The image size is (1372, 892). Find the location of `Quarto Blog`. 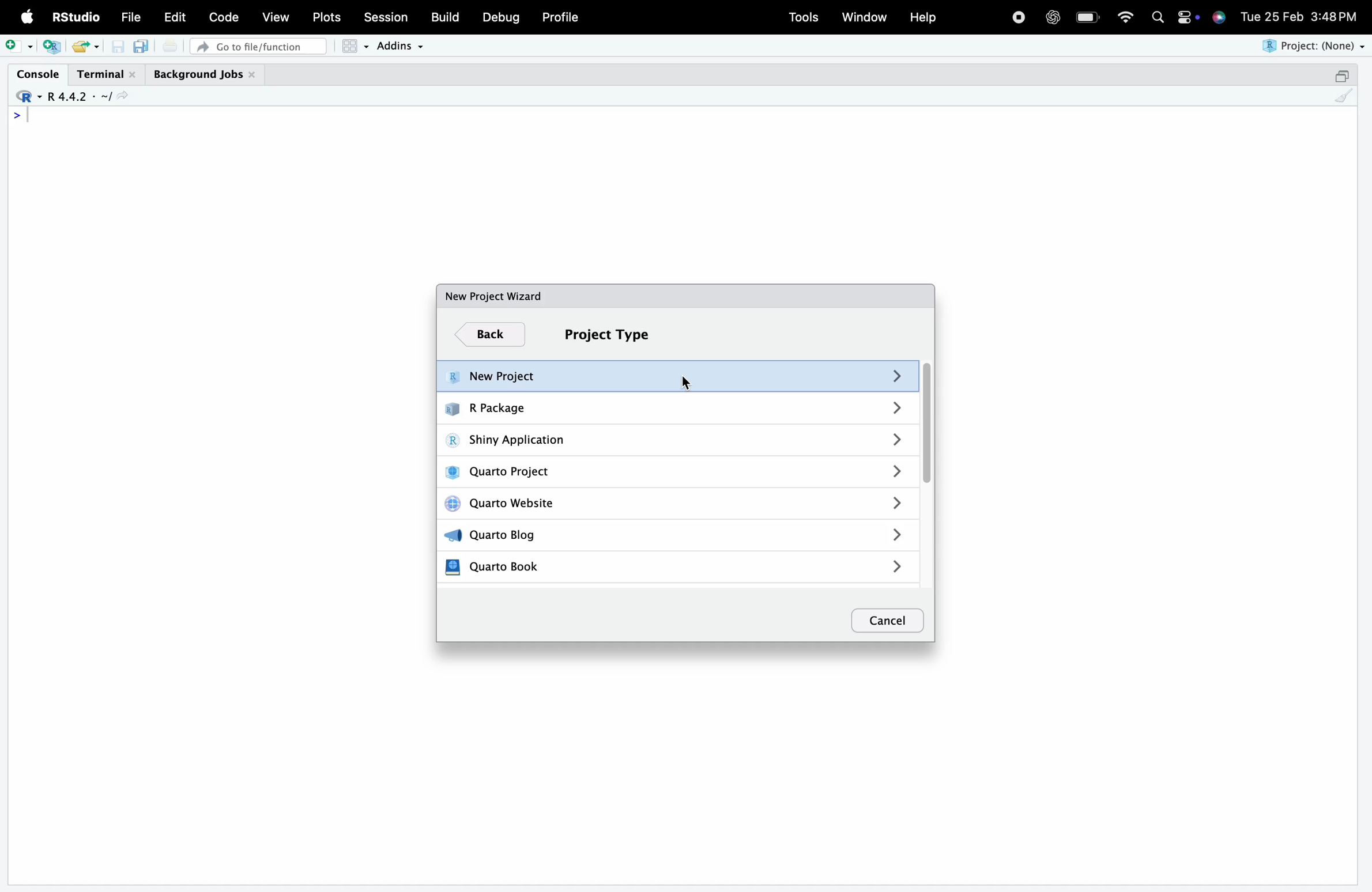

Quarto Blog is located at coordinates (678, 534).